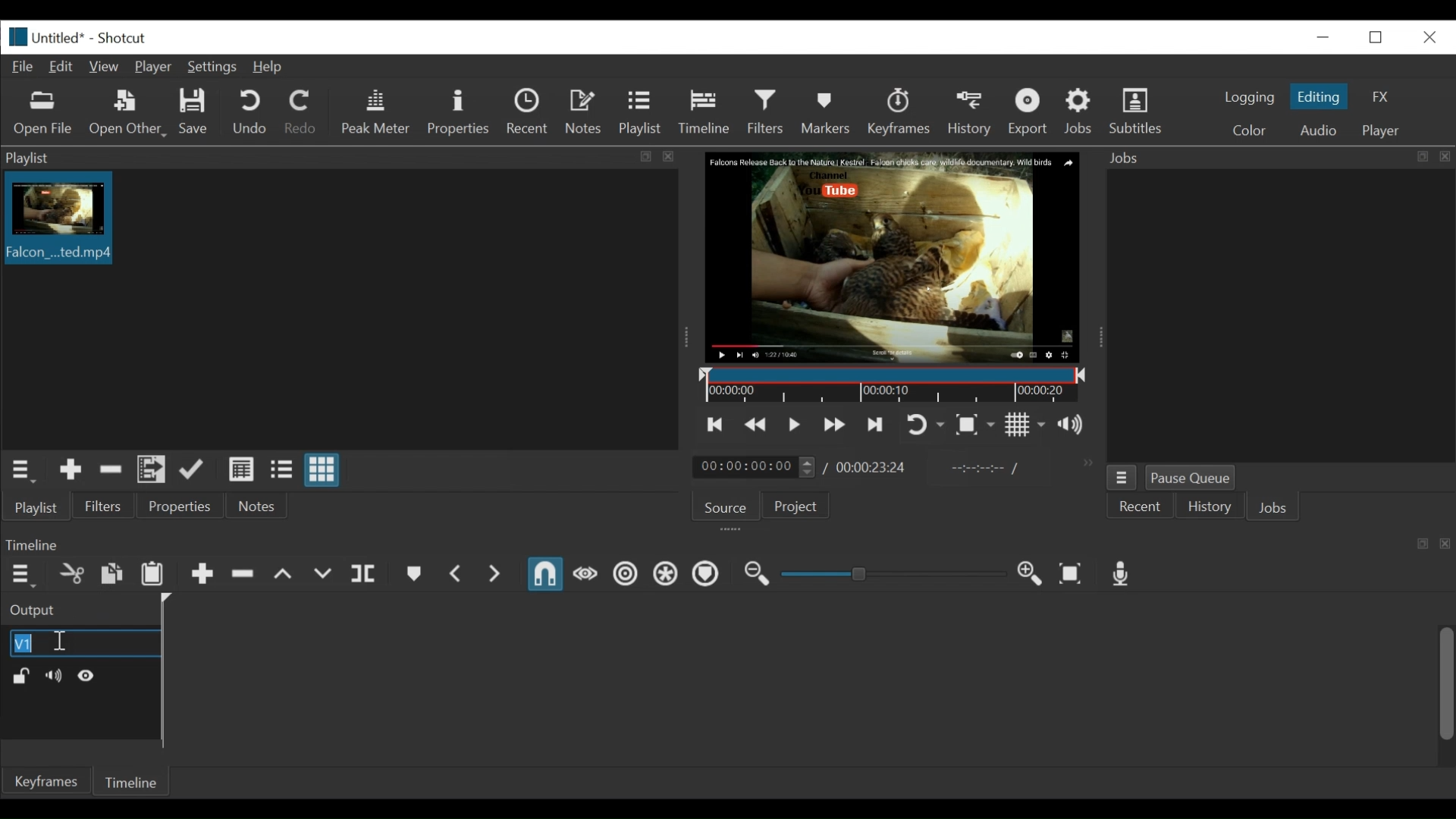 Image resolution: width=1456 pixels, height=819 pixels. I want to click on Adjust Zoom Slider, so click(893, 573).